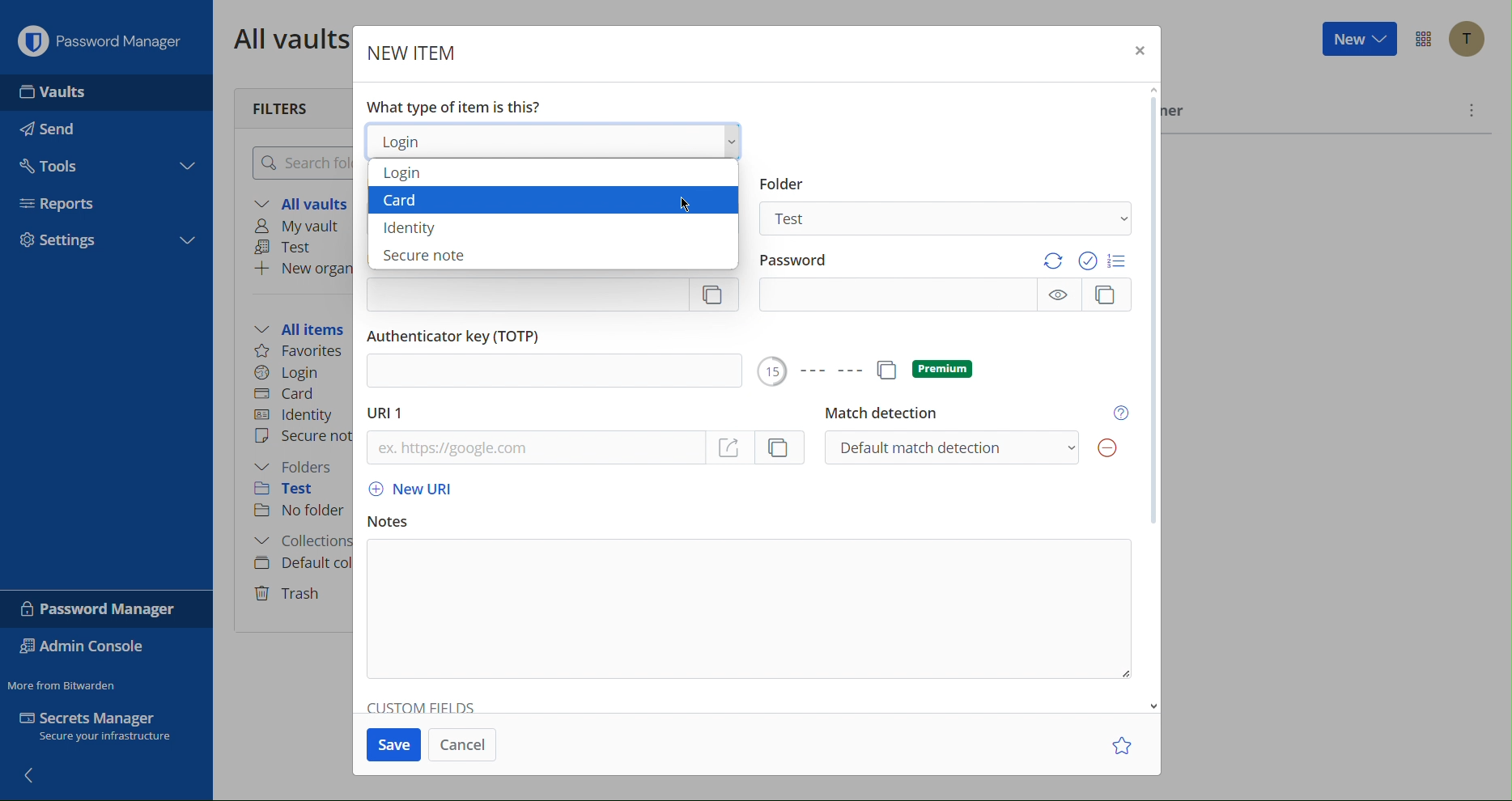 The width and height of the screenshot is (1512, 801). I want to click on Login, so click(398, 172).